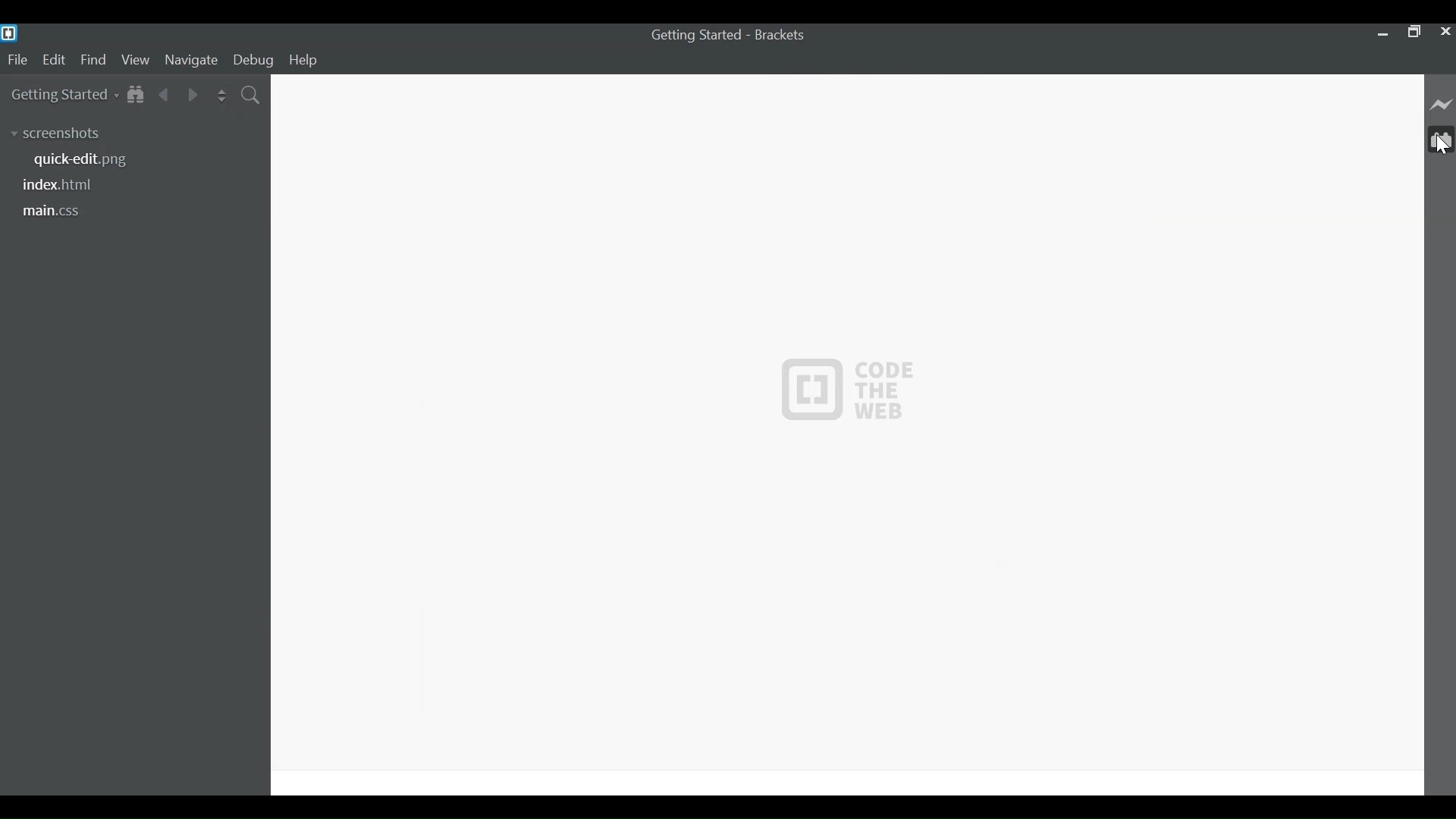 The width and height of the screenshot is (1456, 819). I want to click on Find, so click(93, 61).